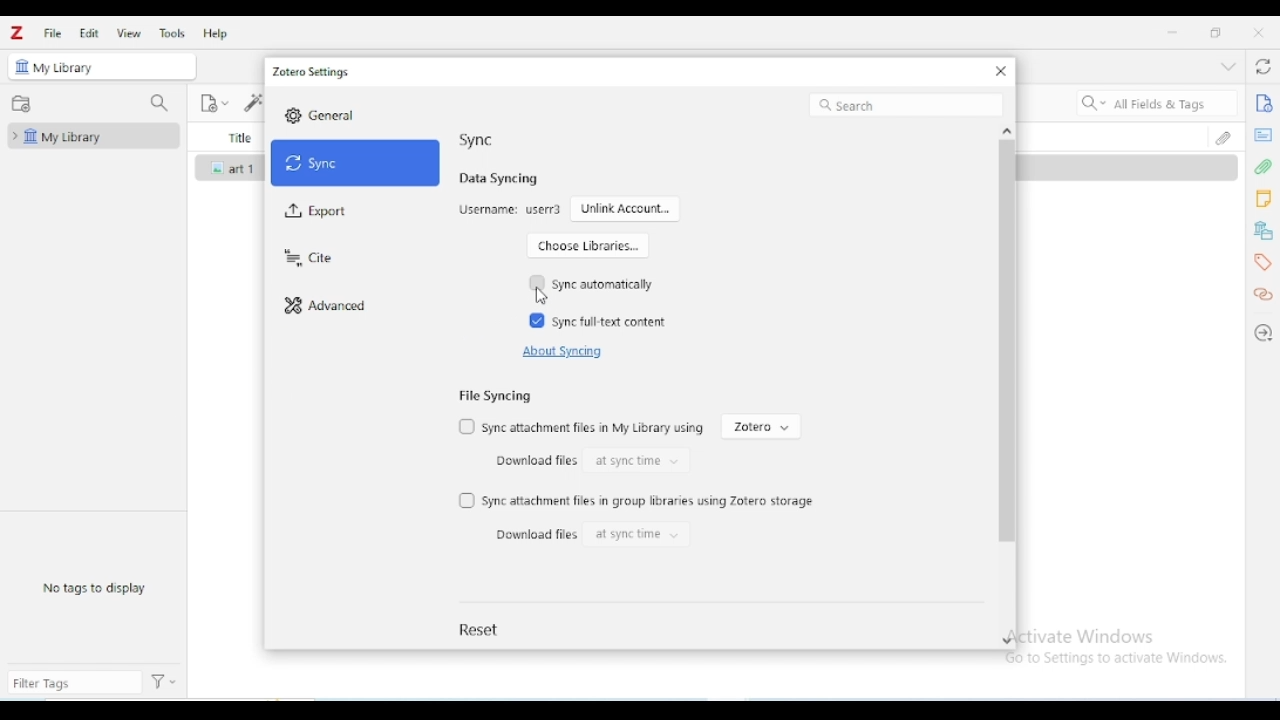 The width and height of the screenshot is (1280, 720). What do you see at coordinates (1264, 66) in the screenshot?
I see `sync with zotero.org` at bounding box center [1264, 66].